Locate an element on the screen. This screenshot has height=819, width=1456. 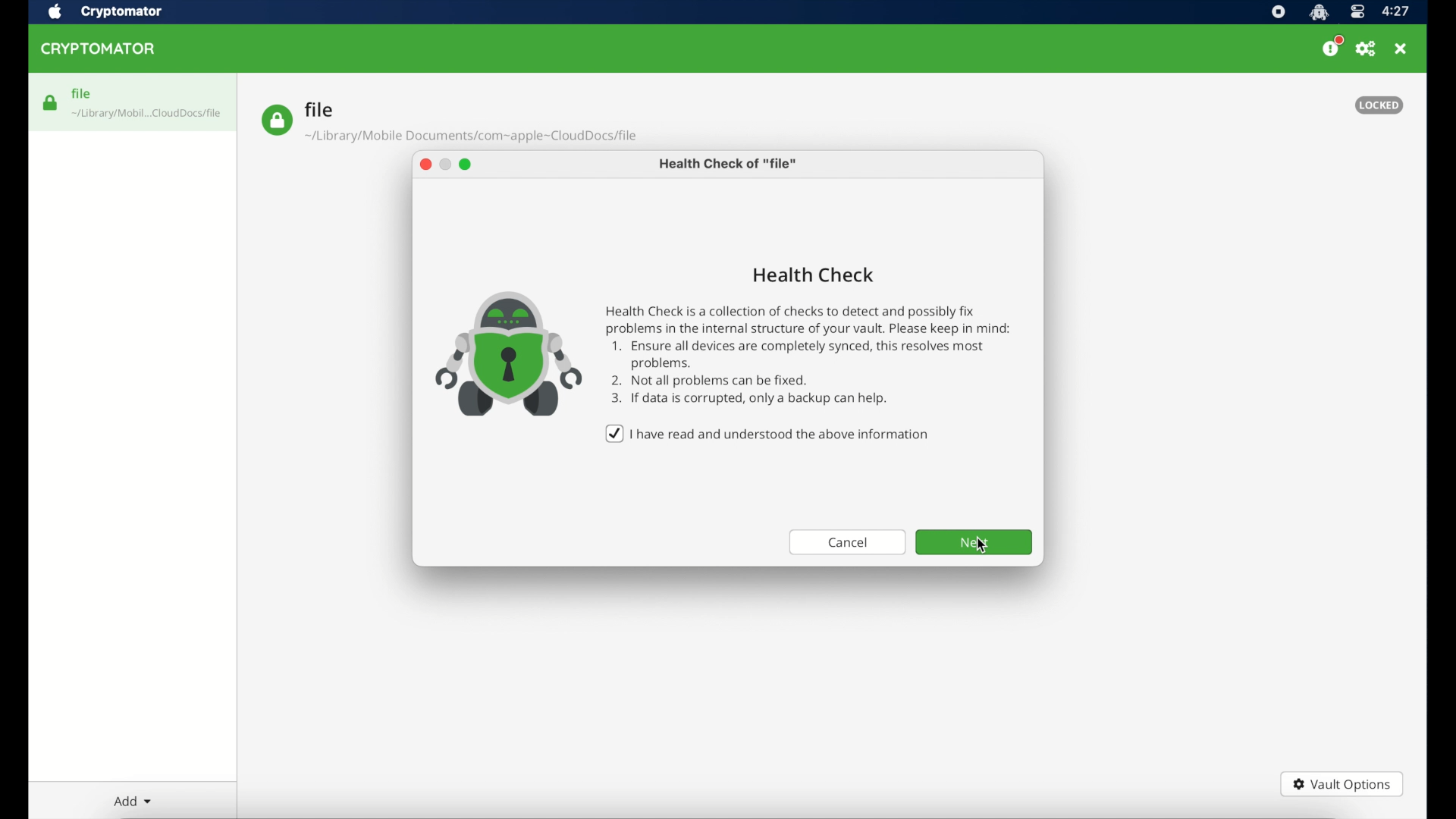
donate is located at coordinates (1332, 47).